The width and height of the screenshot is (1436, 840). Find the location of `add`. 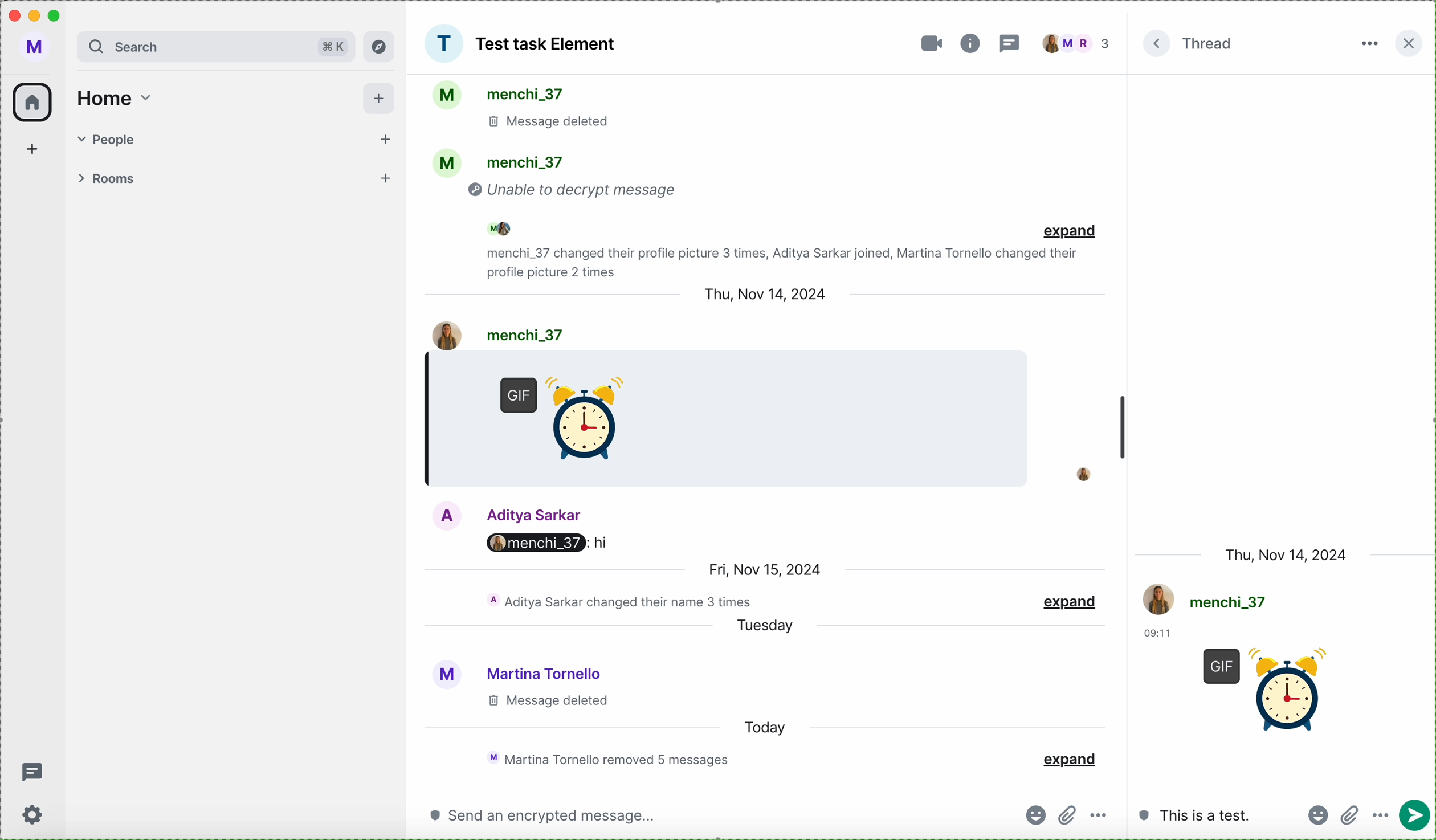

add is located at coordinates (36, 148).